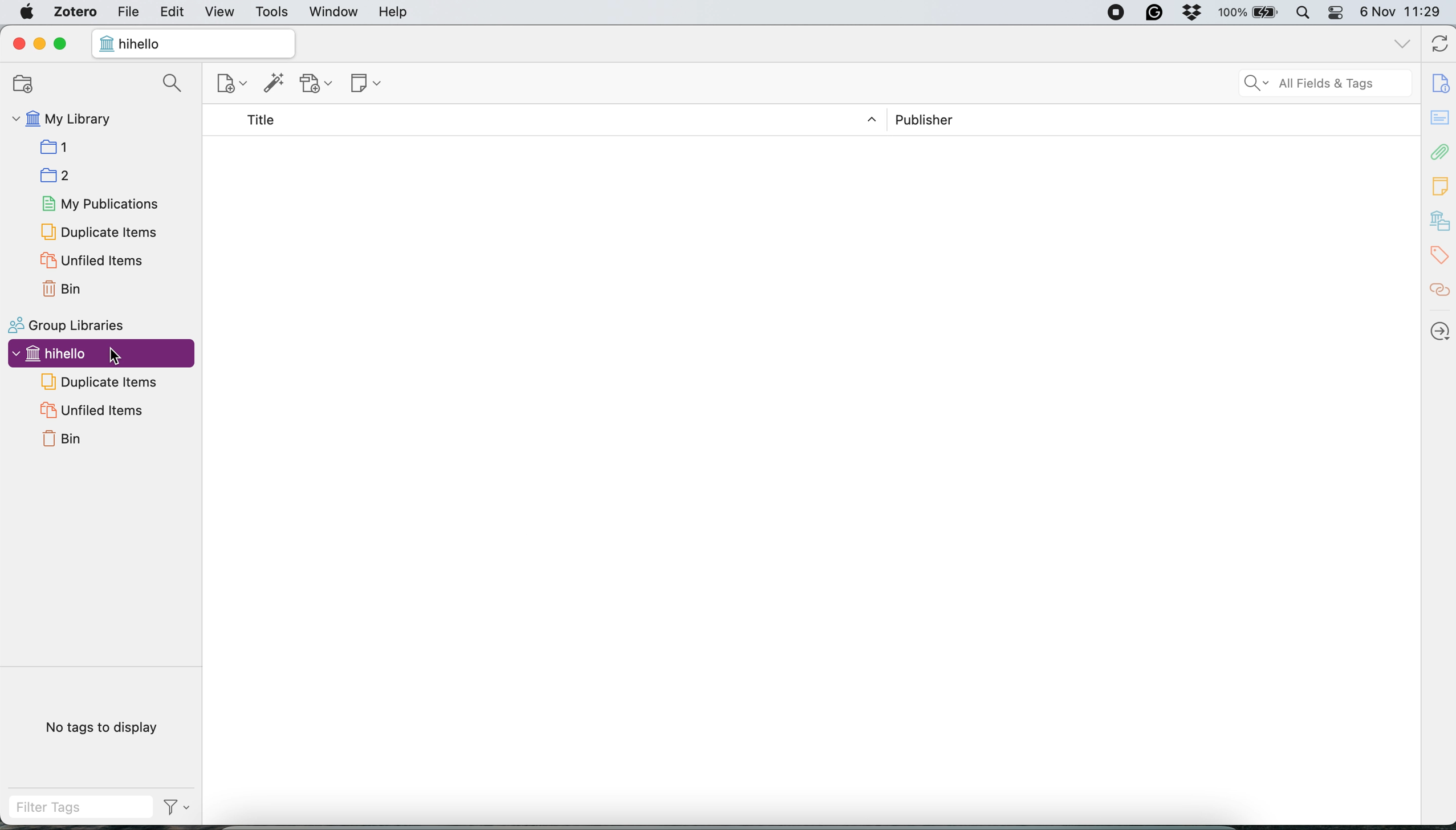 The image size is (1456, 830). Describe the element at coordinates (52, 352) in the screenshot. I see `Hihello` at that location.